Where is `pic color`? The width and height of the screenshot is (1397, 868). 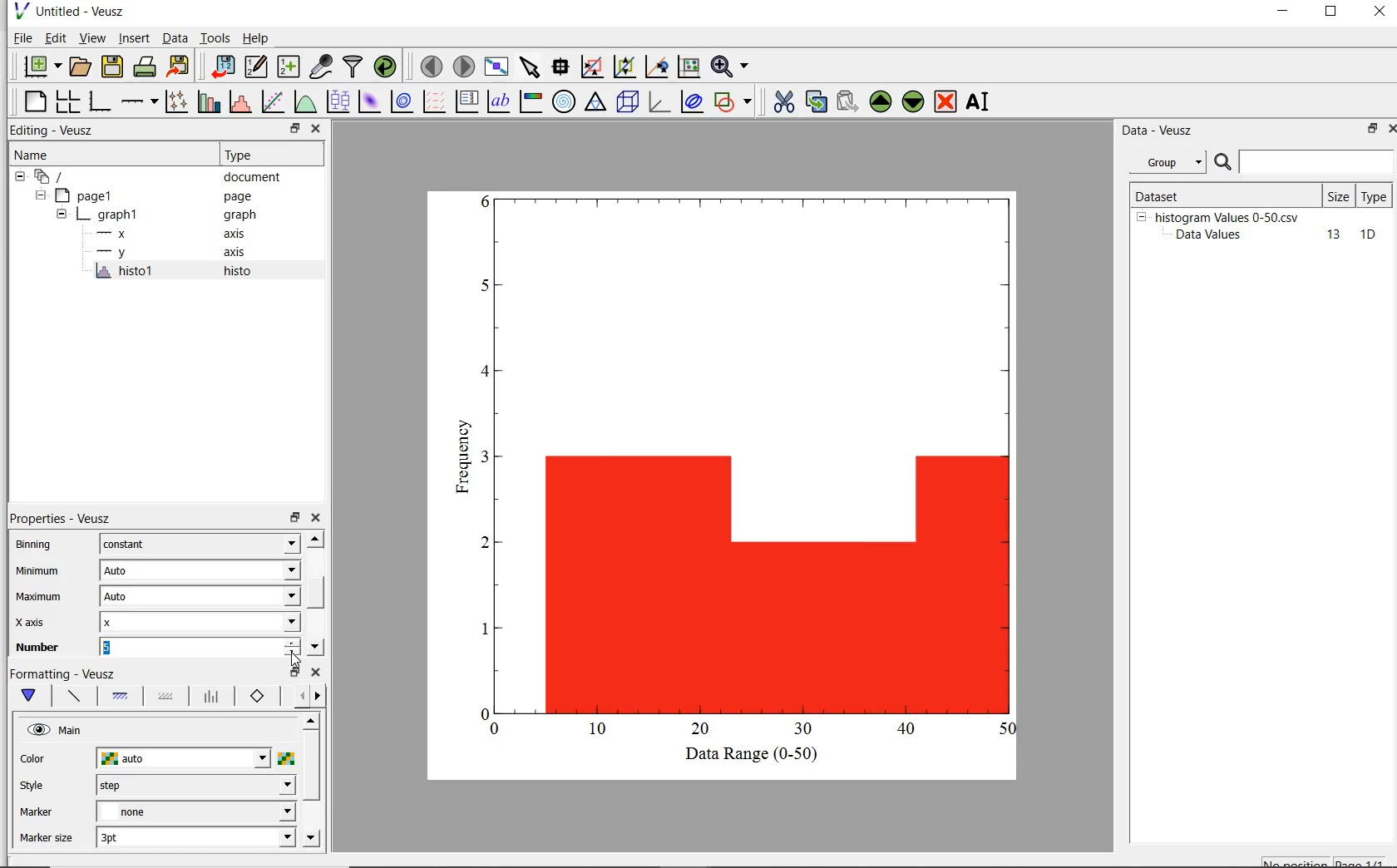 pic color is located at coordinates (286, 758).